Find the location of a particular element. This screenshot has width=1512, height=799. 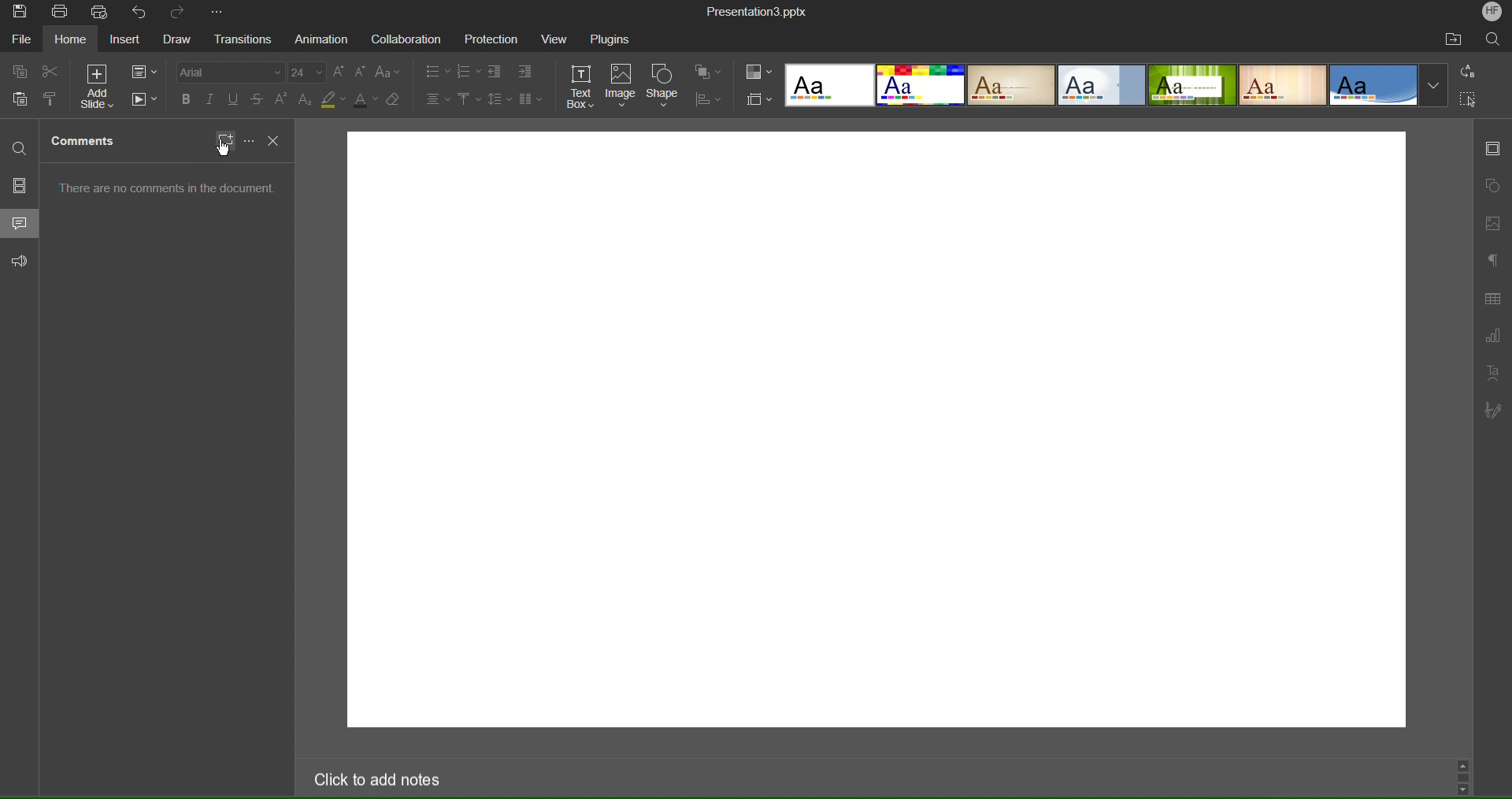

List Options is located at coordinates (470, 71).